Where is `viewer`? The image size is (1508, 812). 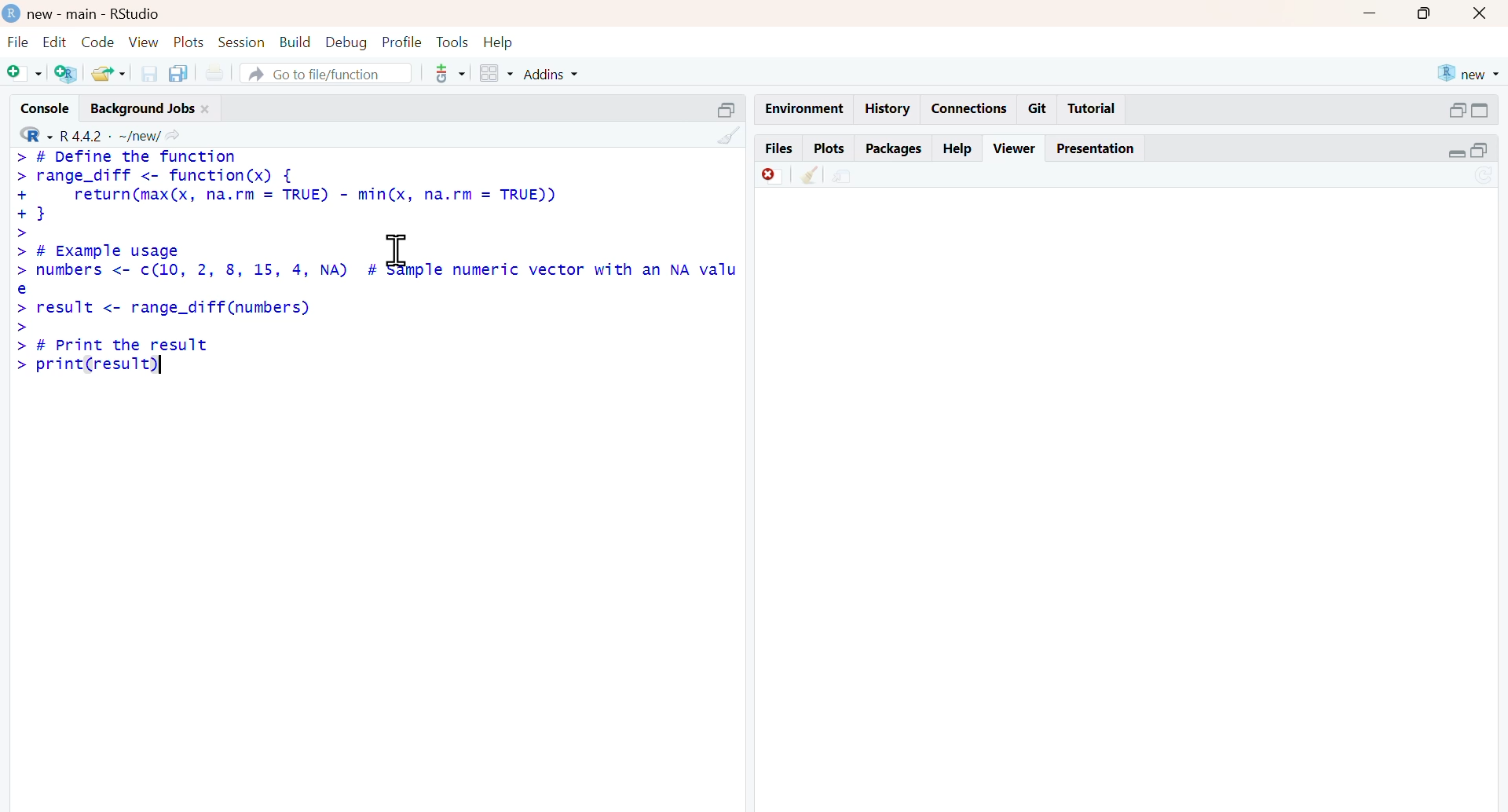 viewer is located at coordinates (1016, 148).